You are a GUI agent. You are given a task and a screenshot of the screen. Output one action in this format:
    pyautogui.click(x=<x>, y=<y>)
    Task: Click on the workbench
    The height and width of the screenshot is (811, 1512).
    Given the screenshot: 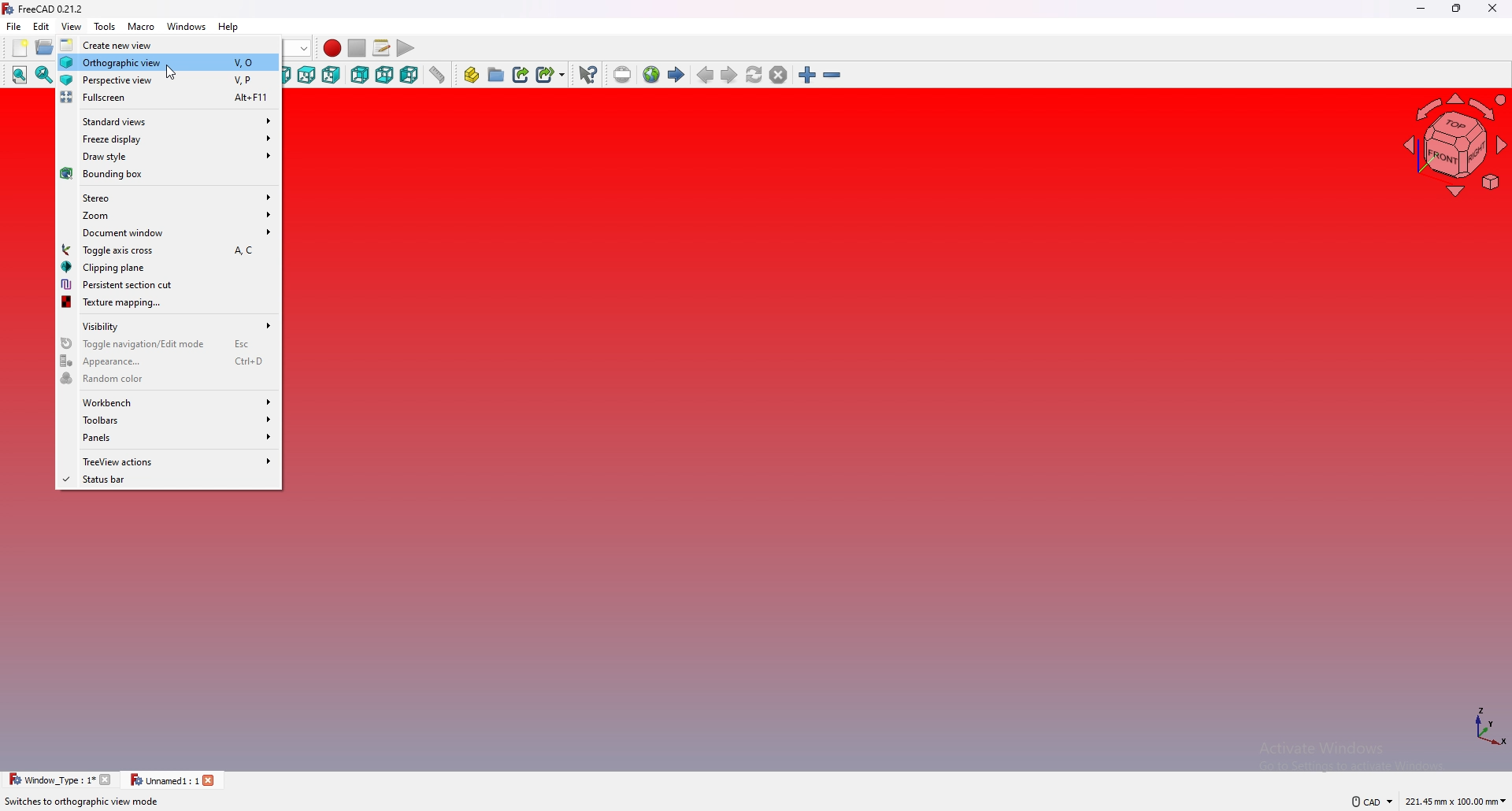 What is the action you would take?
    pyautogui.click(x=169, y=402)
    